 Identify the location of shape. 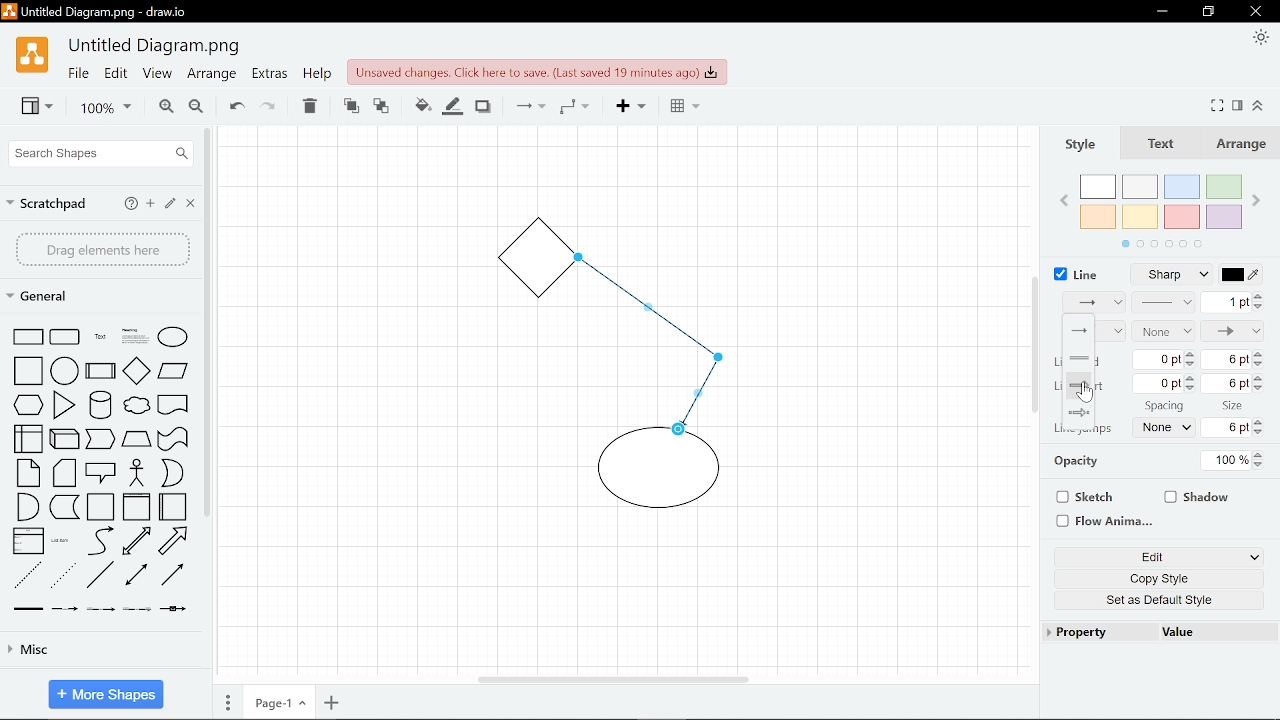
(140, 577).